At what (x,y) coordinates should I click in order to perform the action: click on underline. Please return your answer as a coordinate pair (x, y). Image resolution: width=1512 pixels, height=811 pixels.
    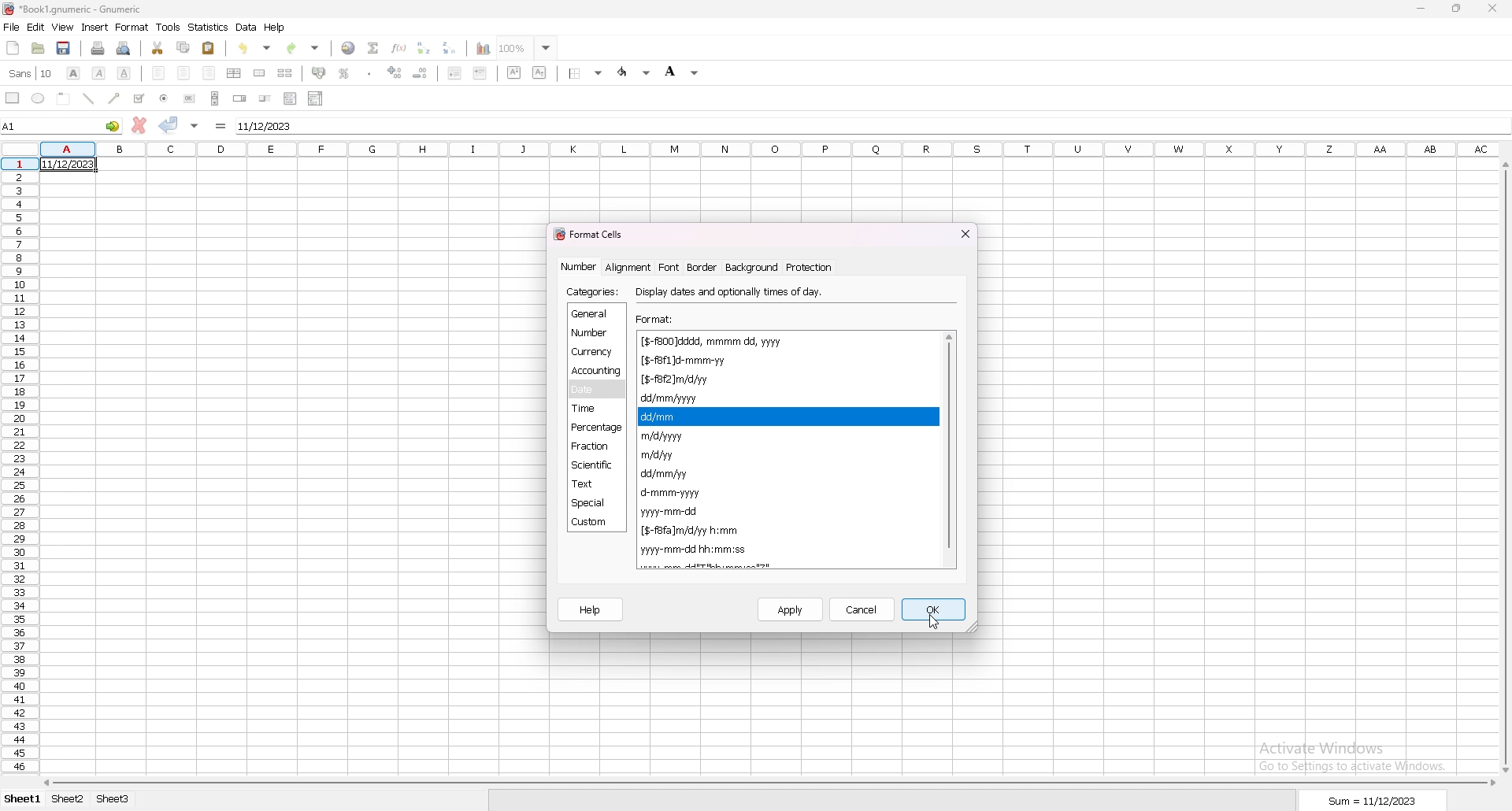
    Looking at the image, I should click on (124, 73).